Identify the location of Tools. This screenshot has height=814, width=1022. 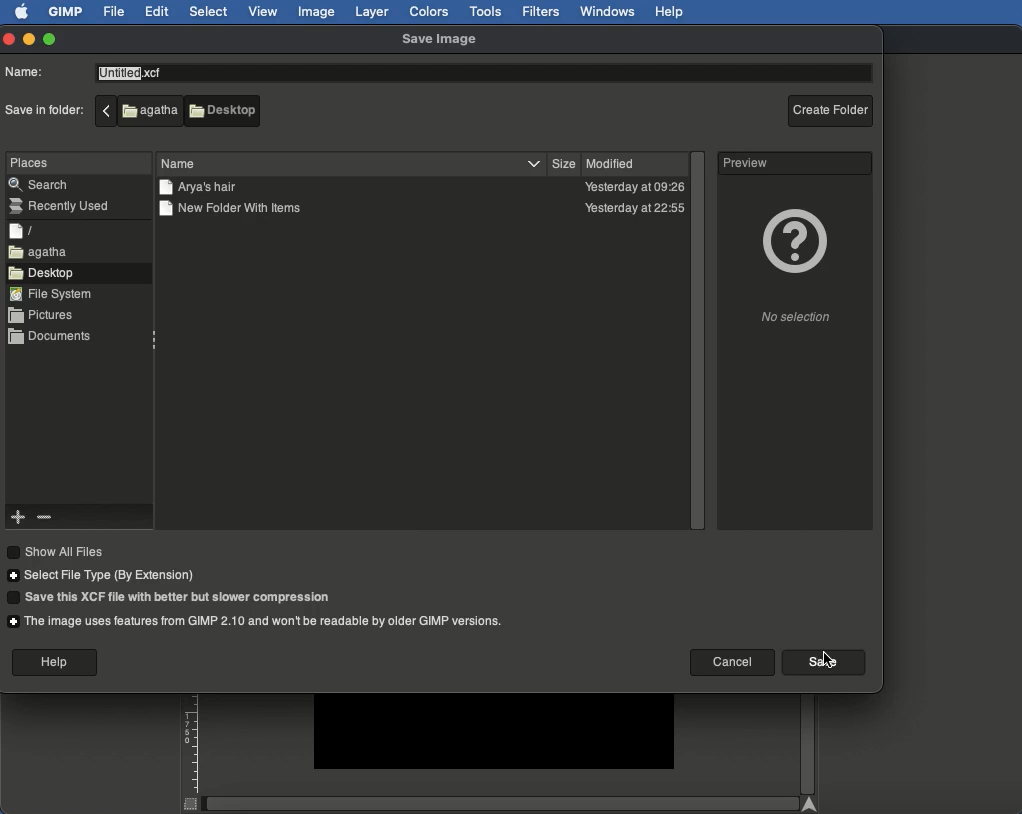
(484, 10).